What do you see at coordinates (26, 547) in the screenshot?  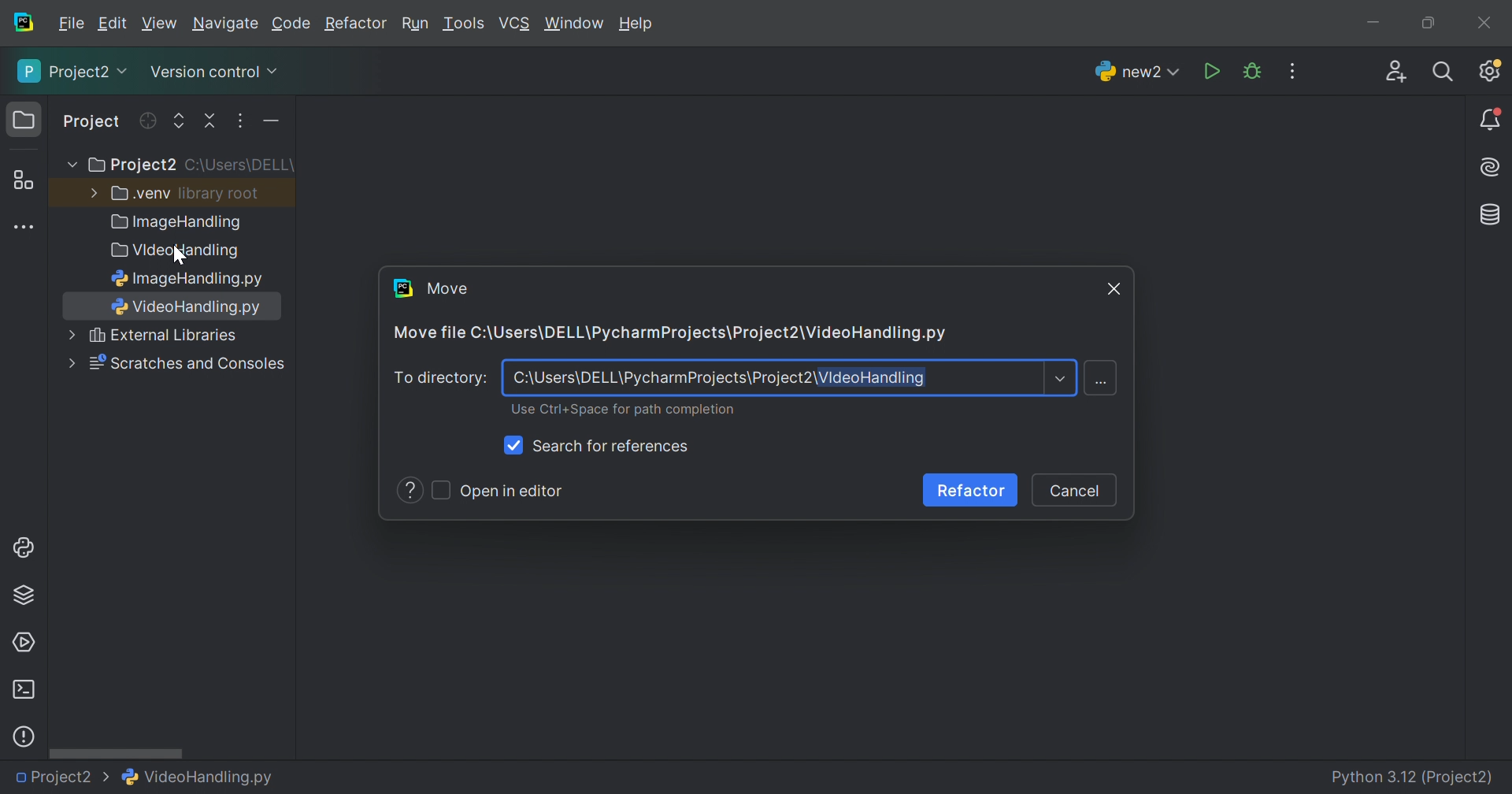 I see `Python console` at bounding box center [26, 547].